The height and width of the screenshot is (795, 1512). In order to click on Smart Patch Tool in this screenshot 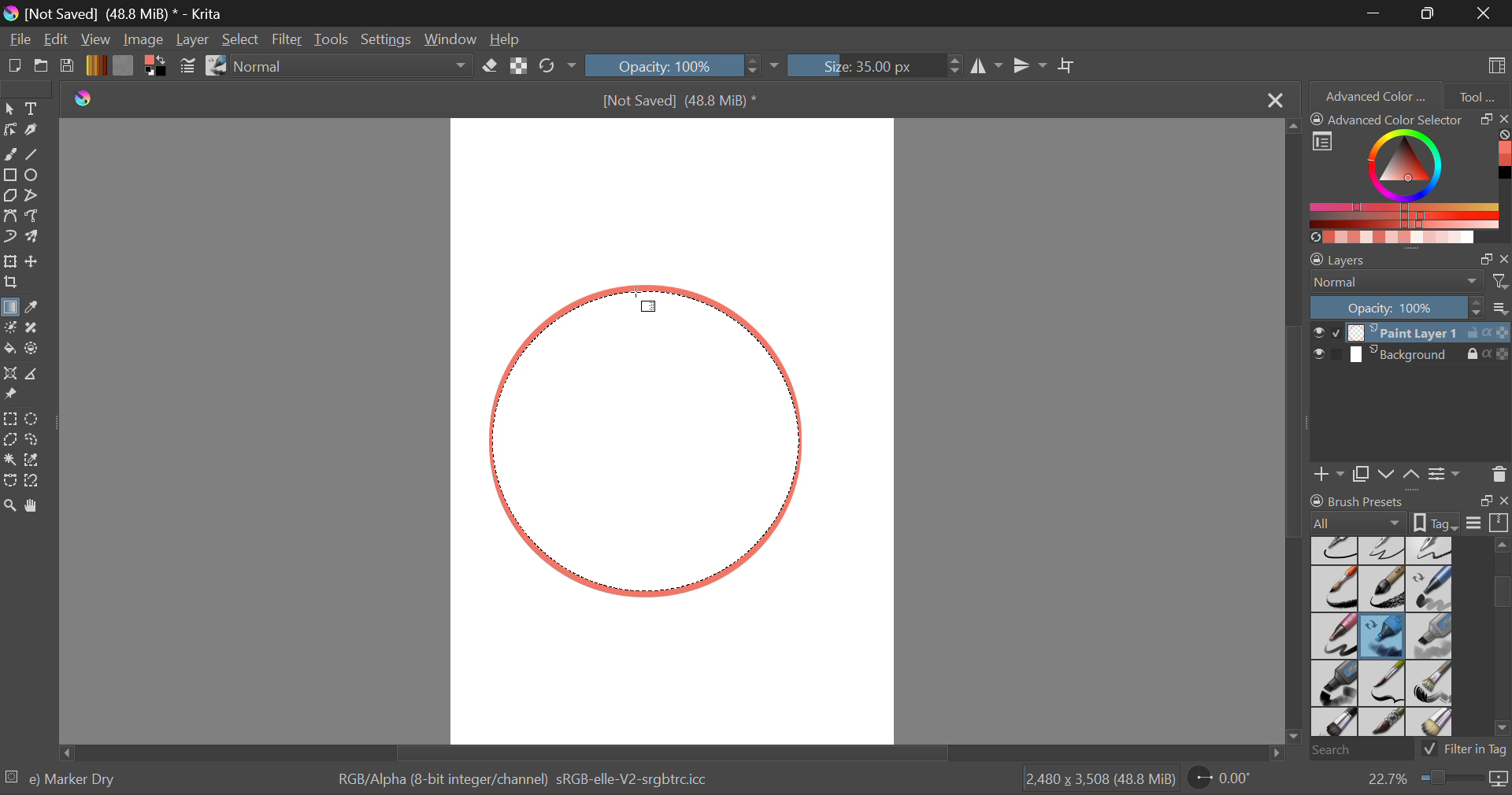, I will do `click(35, 329)`.